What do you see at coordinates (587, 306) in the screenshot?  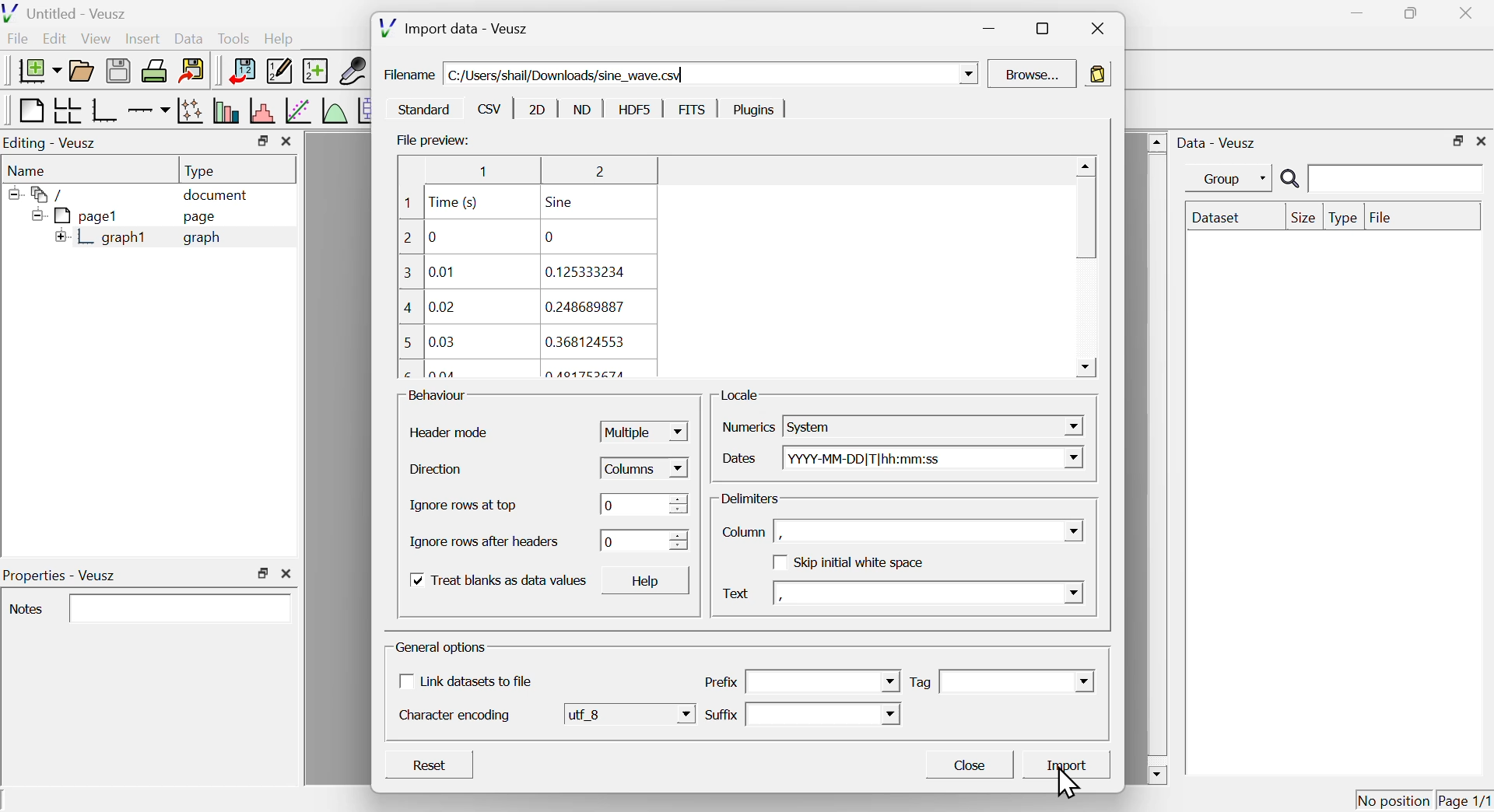 I see `0.248689887` at bounding box center [587, 306].